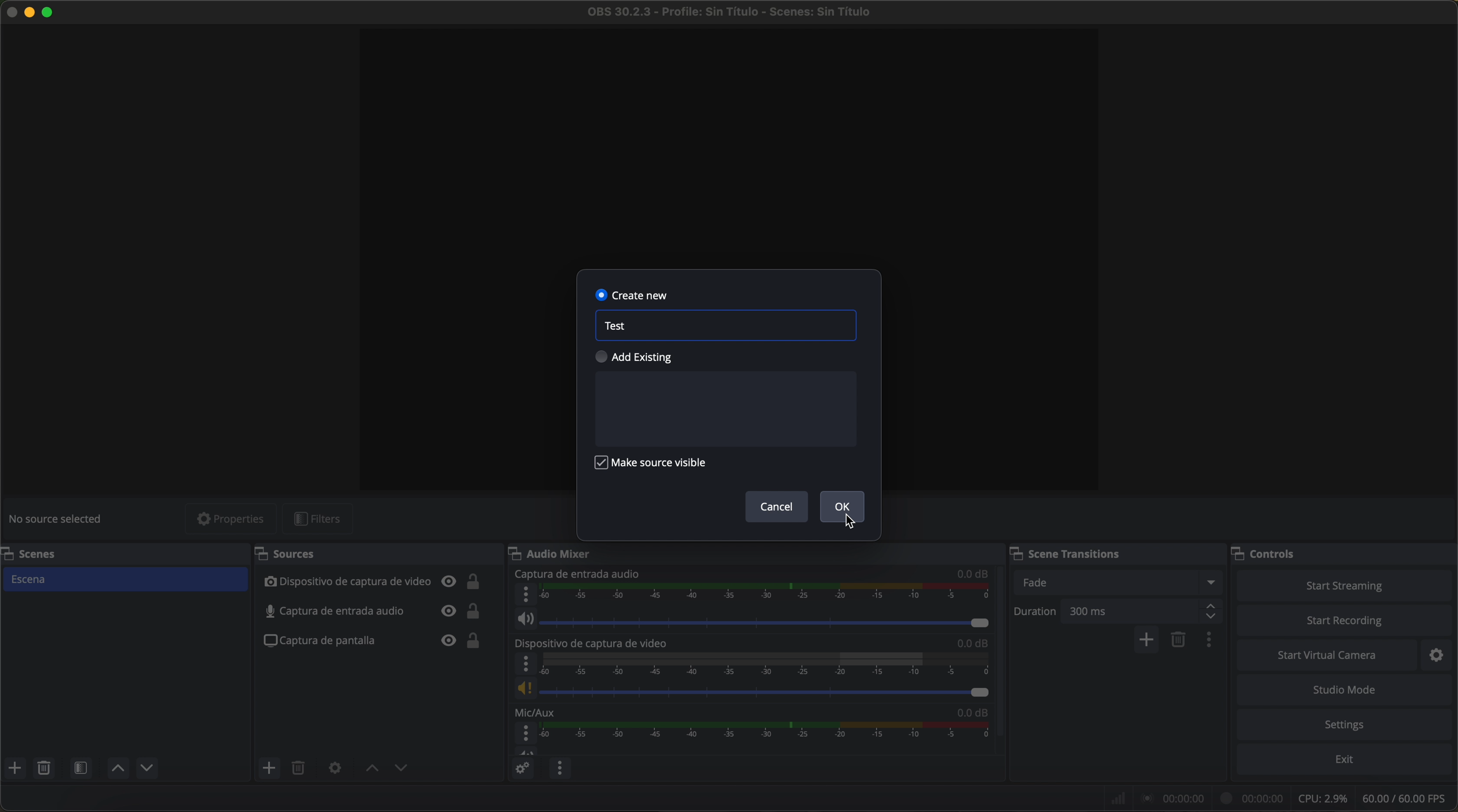 The image size is (1458, 812). I want to click on remove configurable transition, so click(1180, 641).